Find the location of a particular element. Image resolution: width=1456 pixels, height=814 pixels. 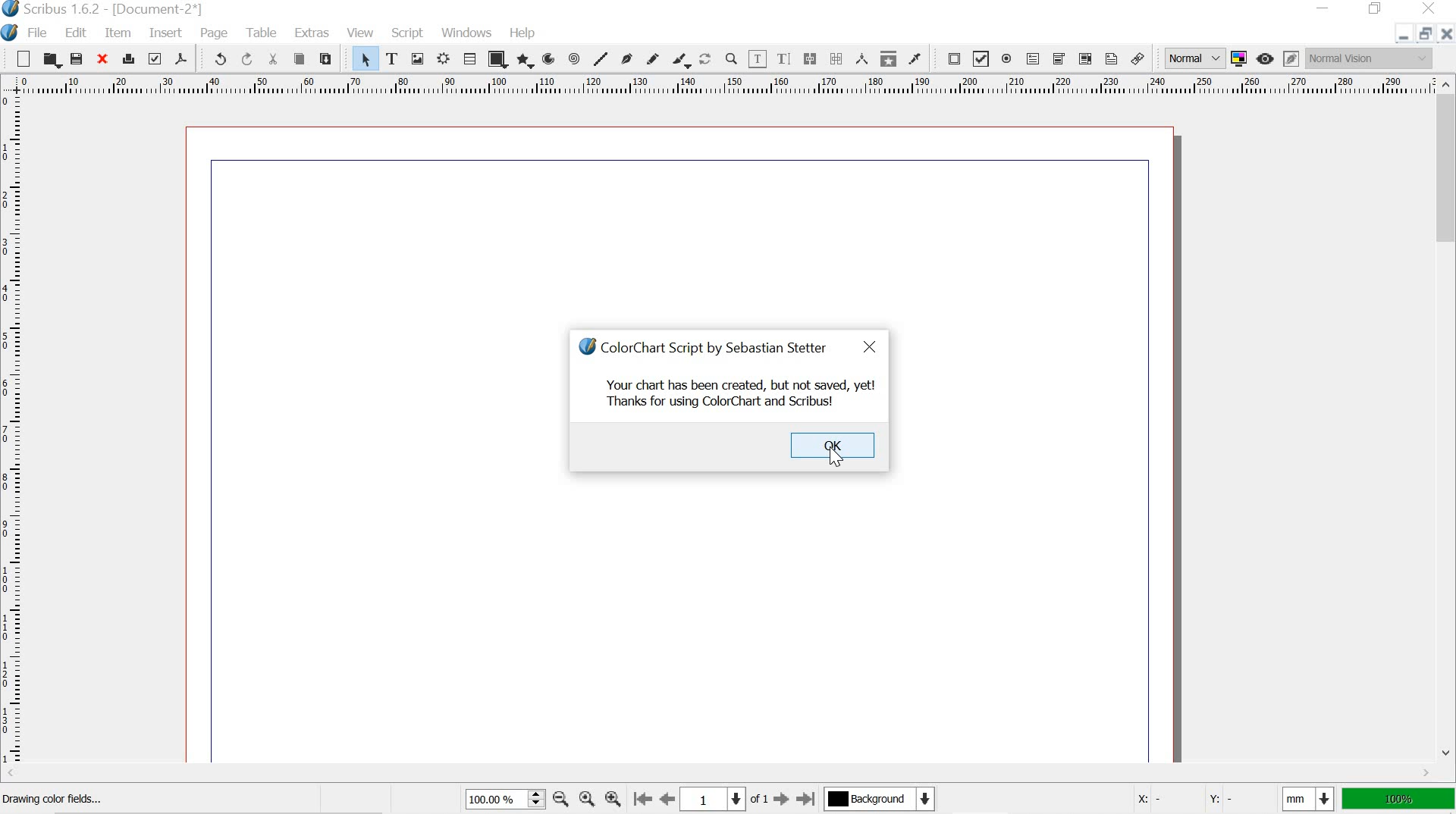

text annotation is located at coordinates (1112, 59).